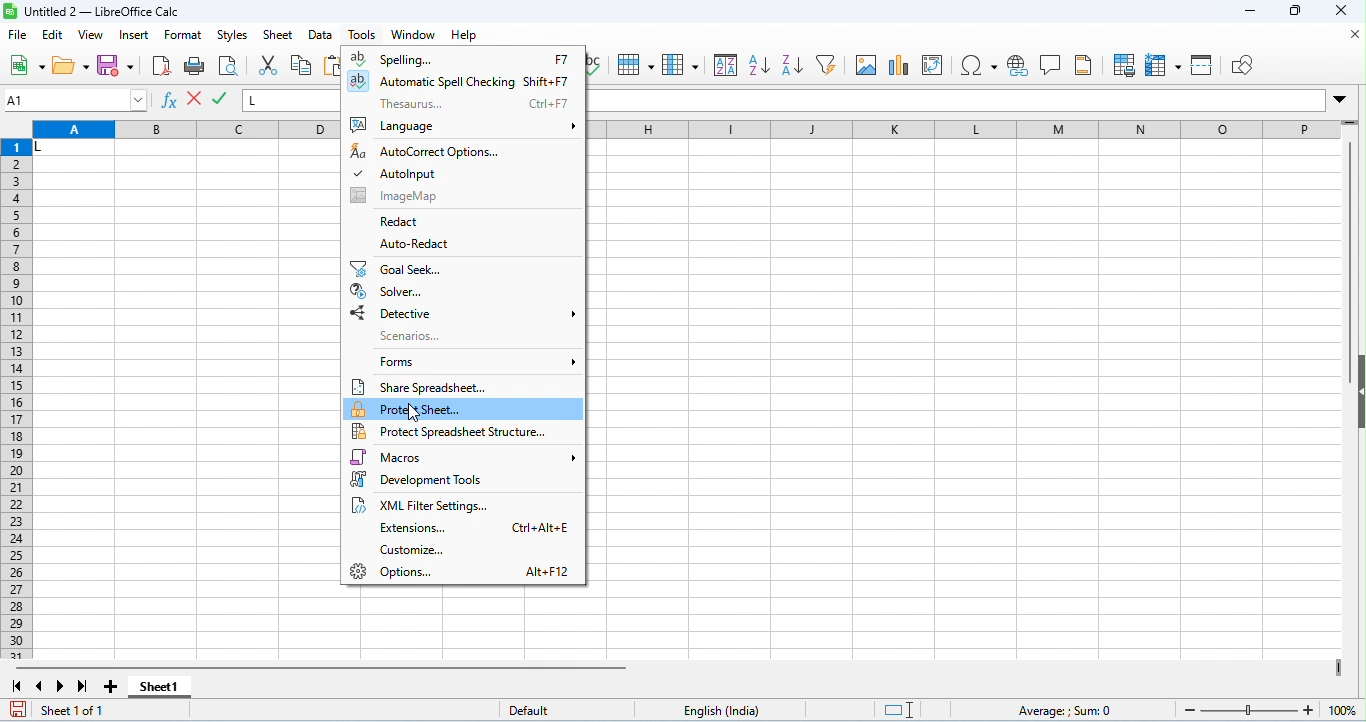 This screenshot has height=722, width=1366. What do you see at coordinates (437, 151) in the screenshot?
I see `Autocorrect options` at bounding box center [437, 151].